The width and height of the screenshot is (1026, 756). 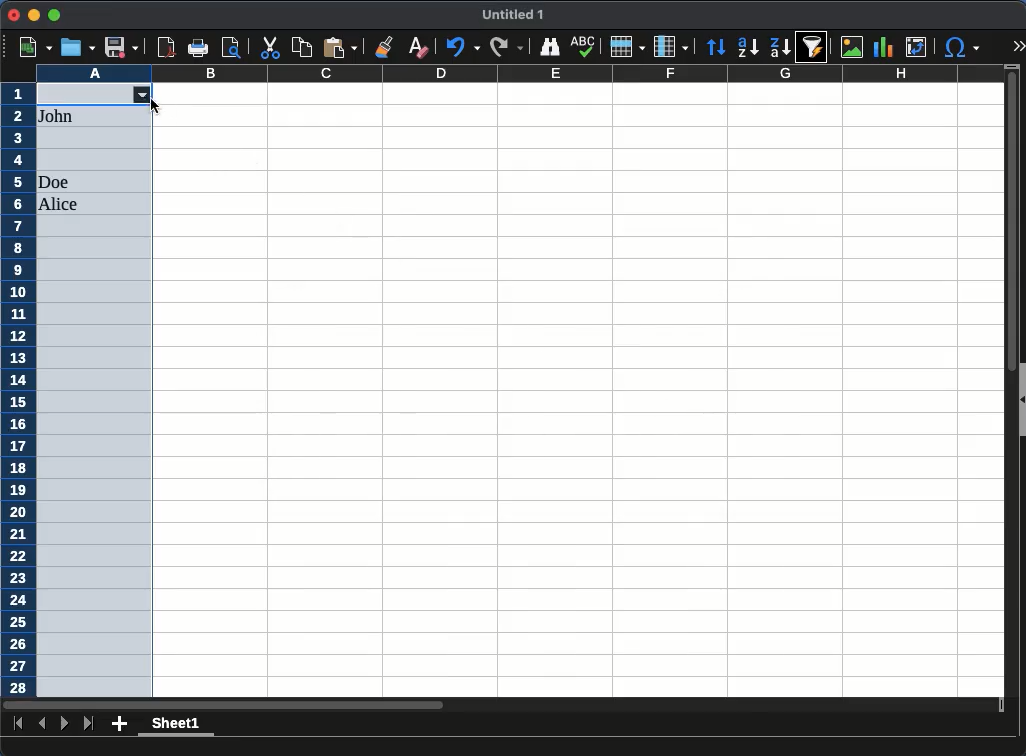 I want to click on copy, so click(x=303, y=48).